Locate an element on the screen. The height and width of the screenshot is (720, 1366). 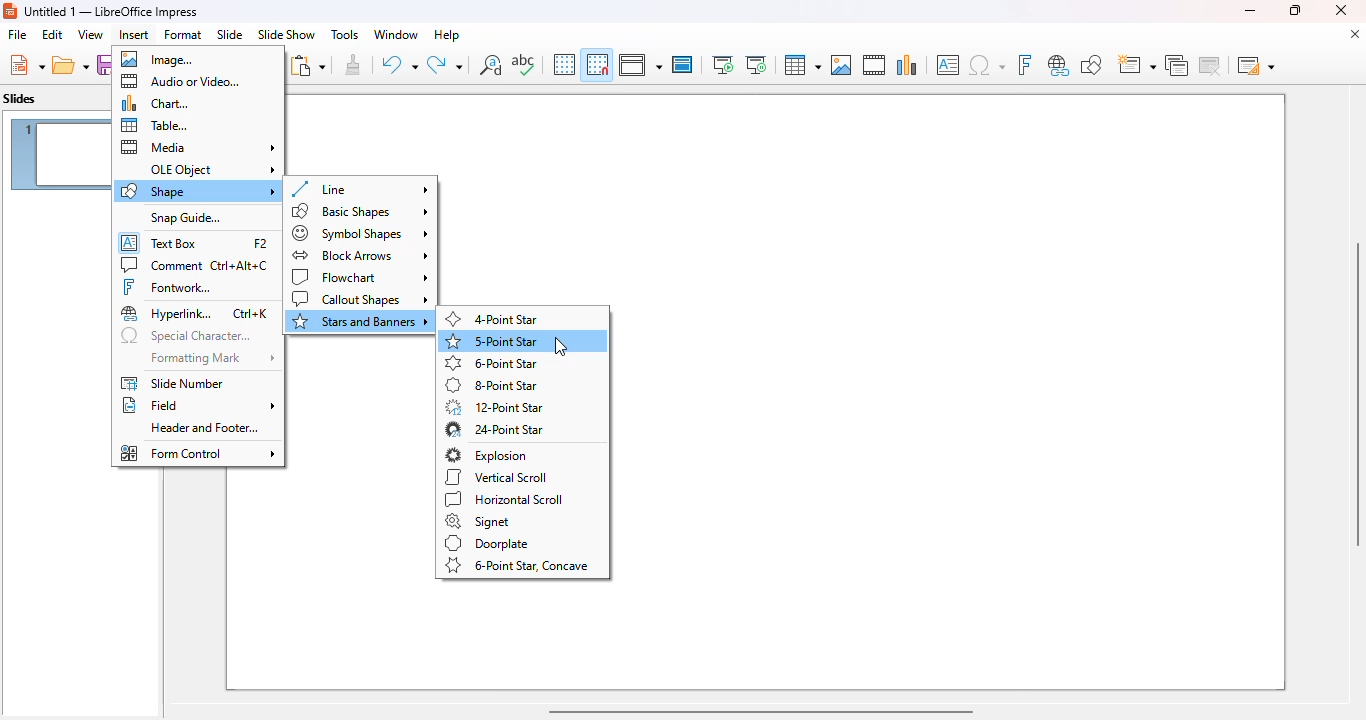
spelling is located at coordinates (523, 64).